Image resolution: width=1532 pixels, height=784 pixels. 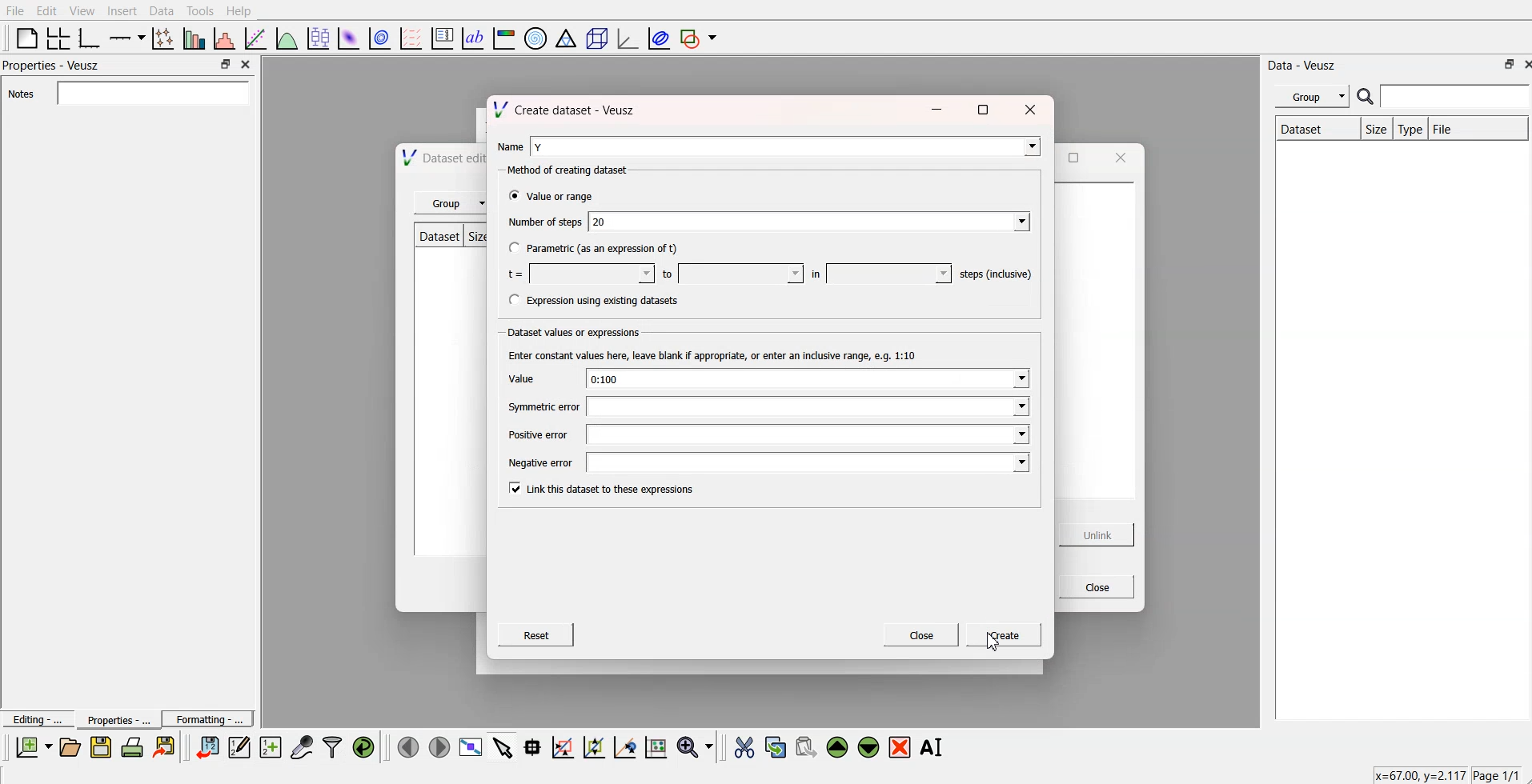 I want to click on Reset, so click(x=538, y=637).